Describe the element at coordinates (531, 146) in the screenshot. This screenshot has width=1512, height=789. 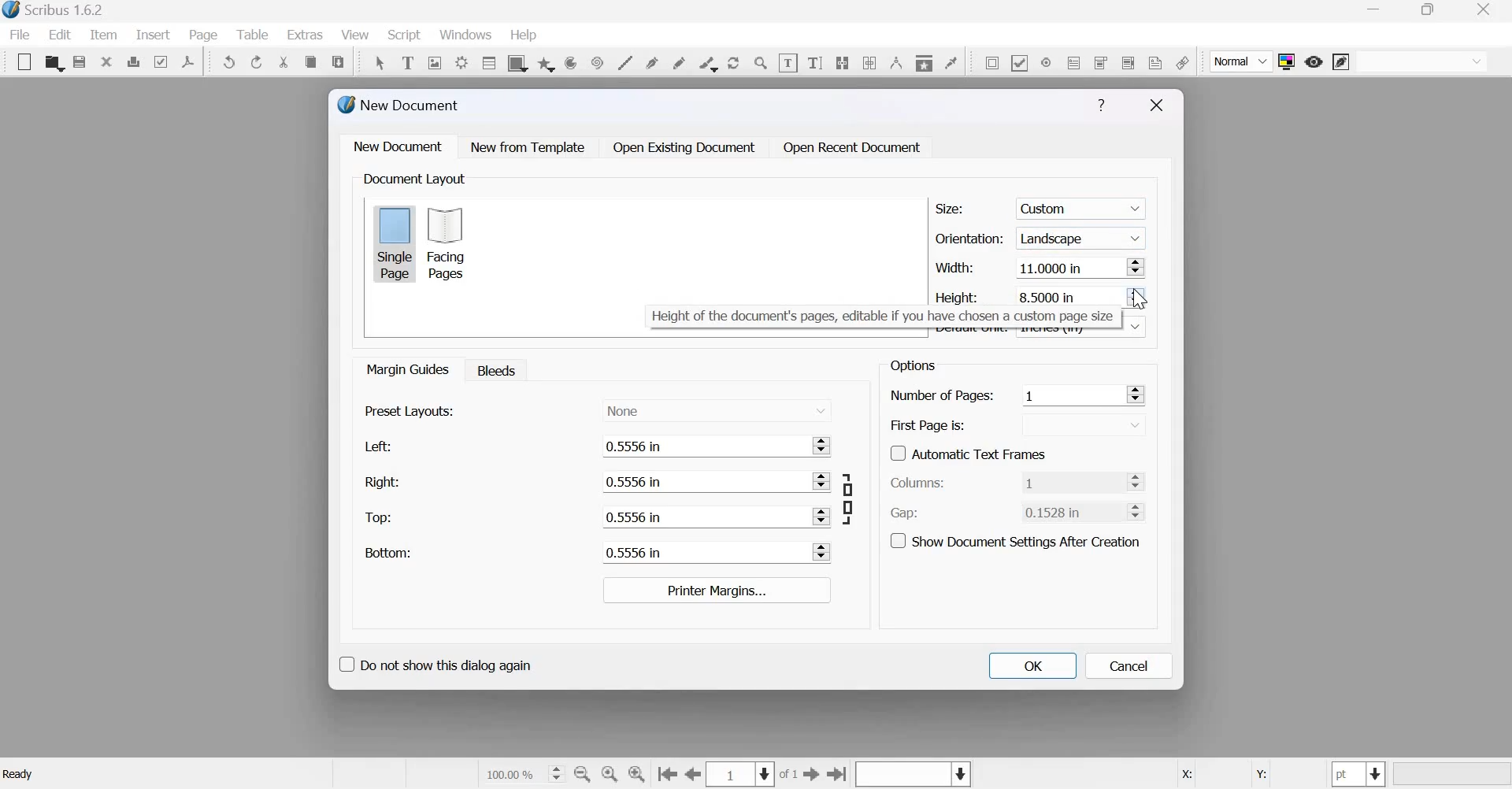
I see `New from Template` at that location.